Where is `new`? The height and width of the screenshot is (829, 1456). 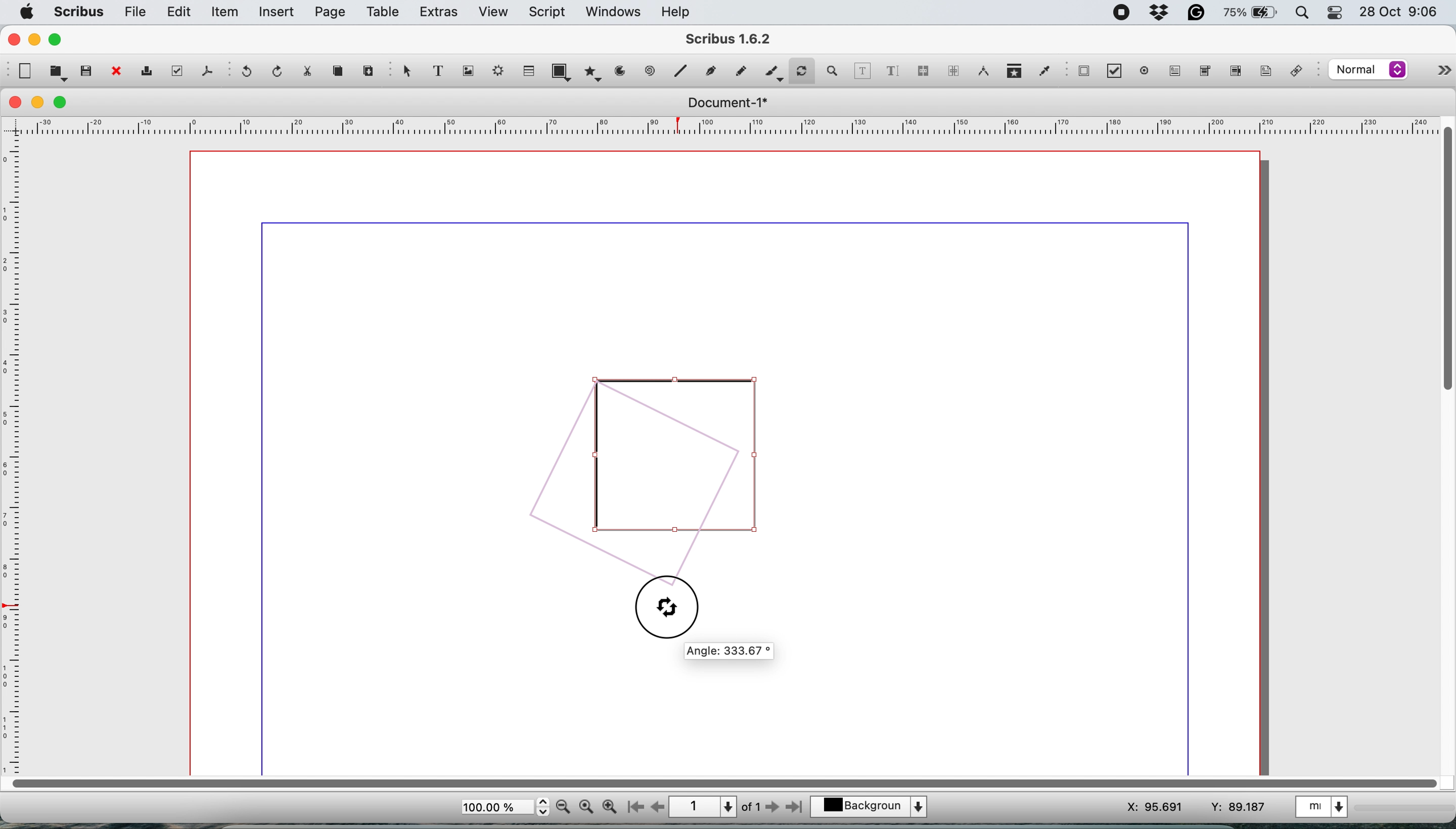 new is located at coordinates (25, 71).